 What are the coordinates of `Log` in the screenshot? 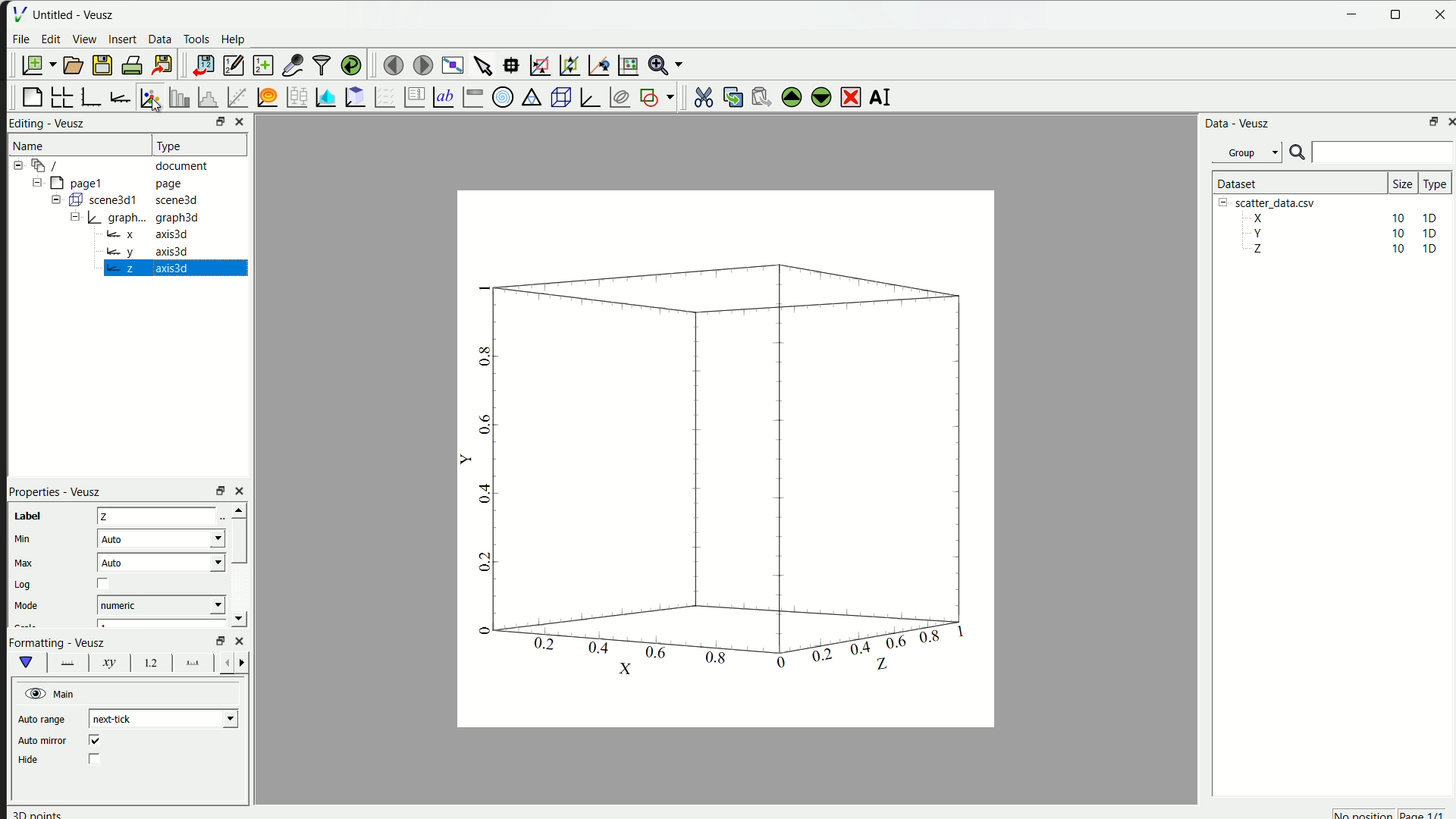 It's located at (21, 585).